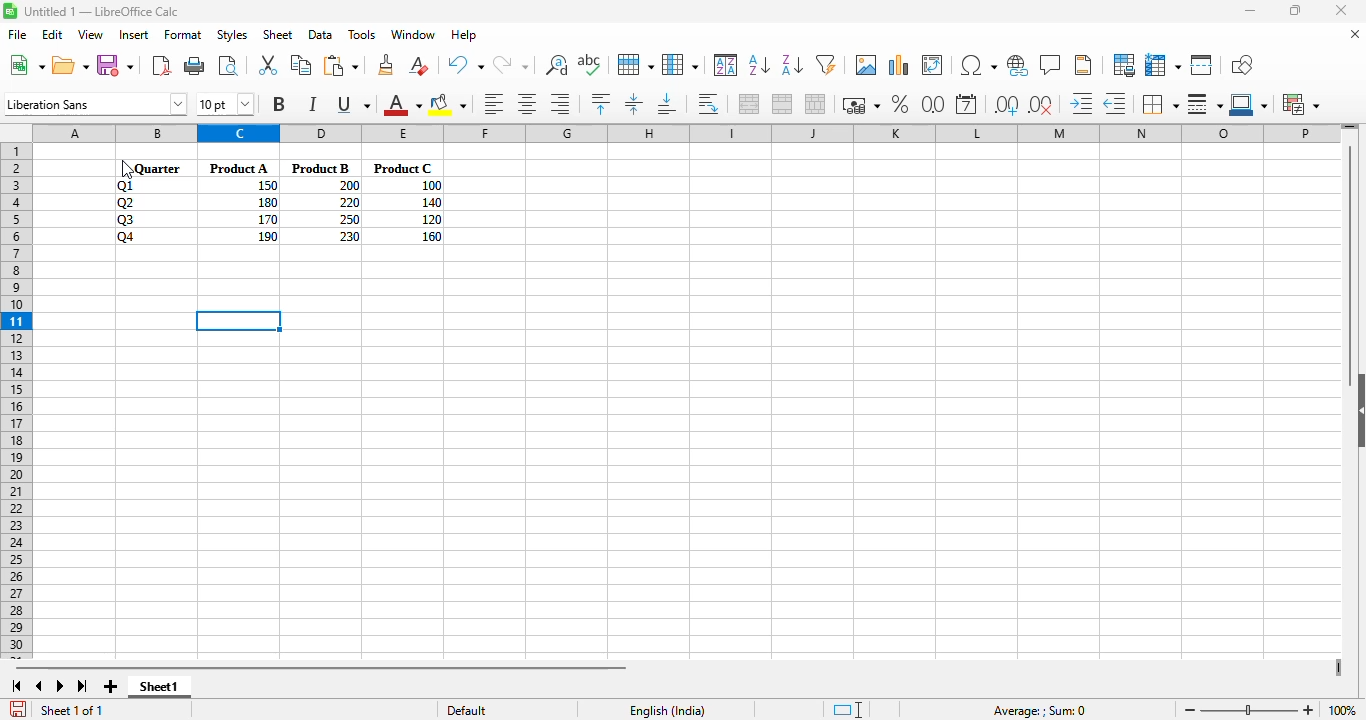 The image size is (1366, 720). I want to click on close, so click(1340, 10).